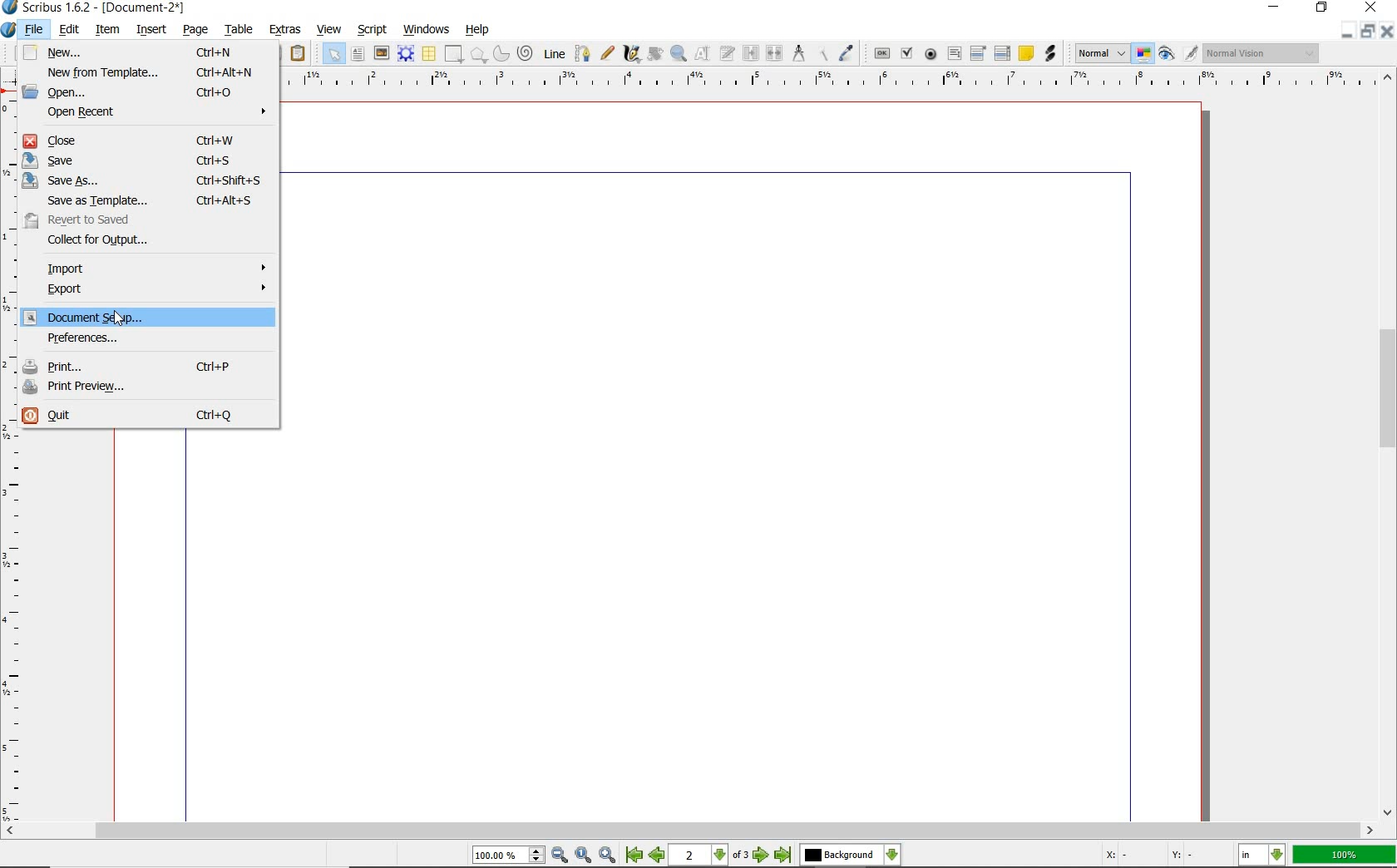 The height and width of the screenshot is (868, 1397). I want to click on new from template, so click(154, 72).